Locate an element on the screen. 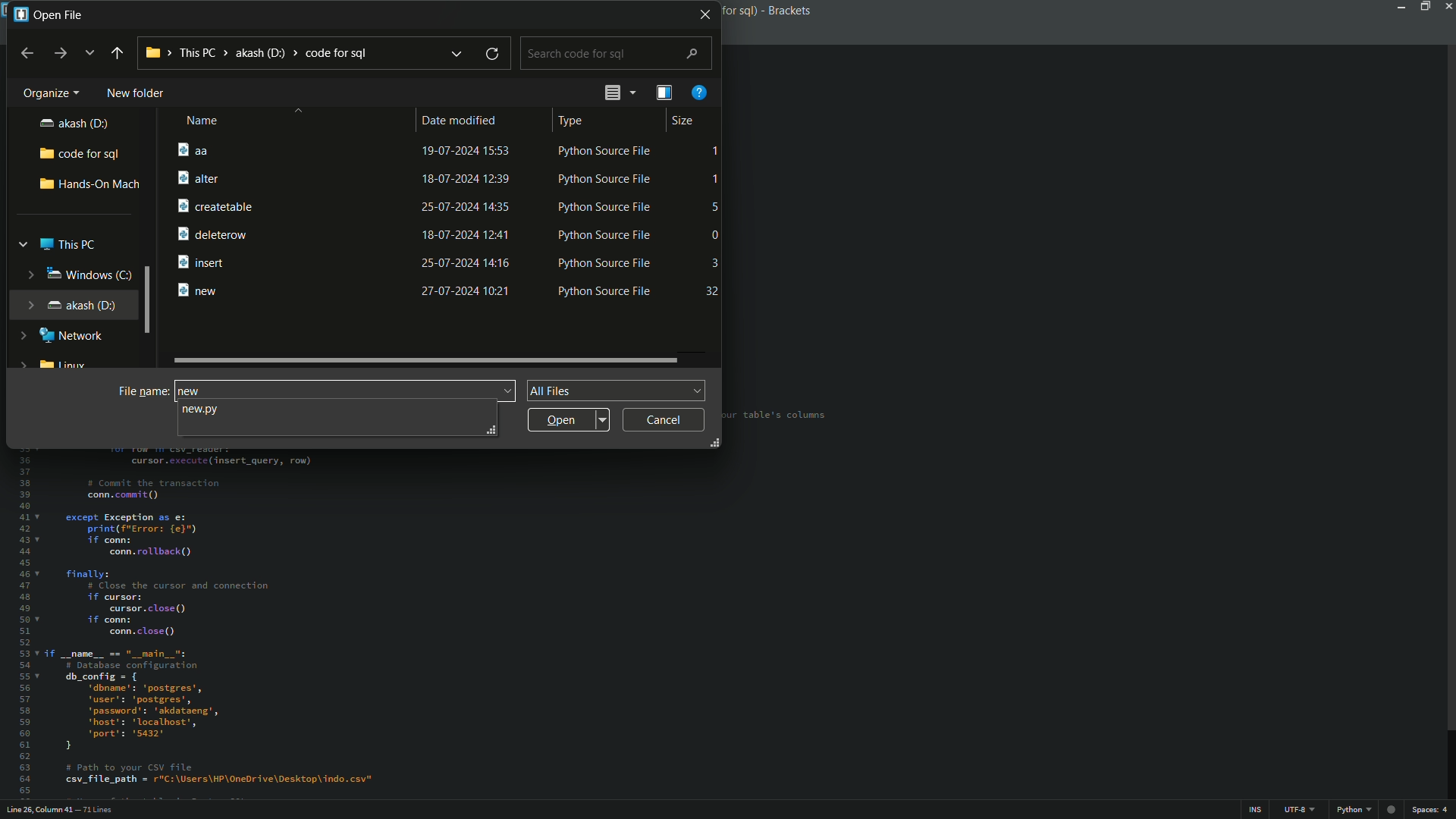  file encoding is located at coordinates (1301, 811).